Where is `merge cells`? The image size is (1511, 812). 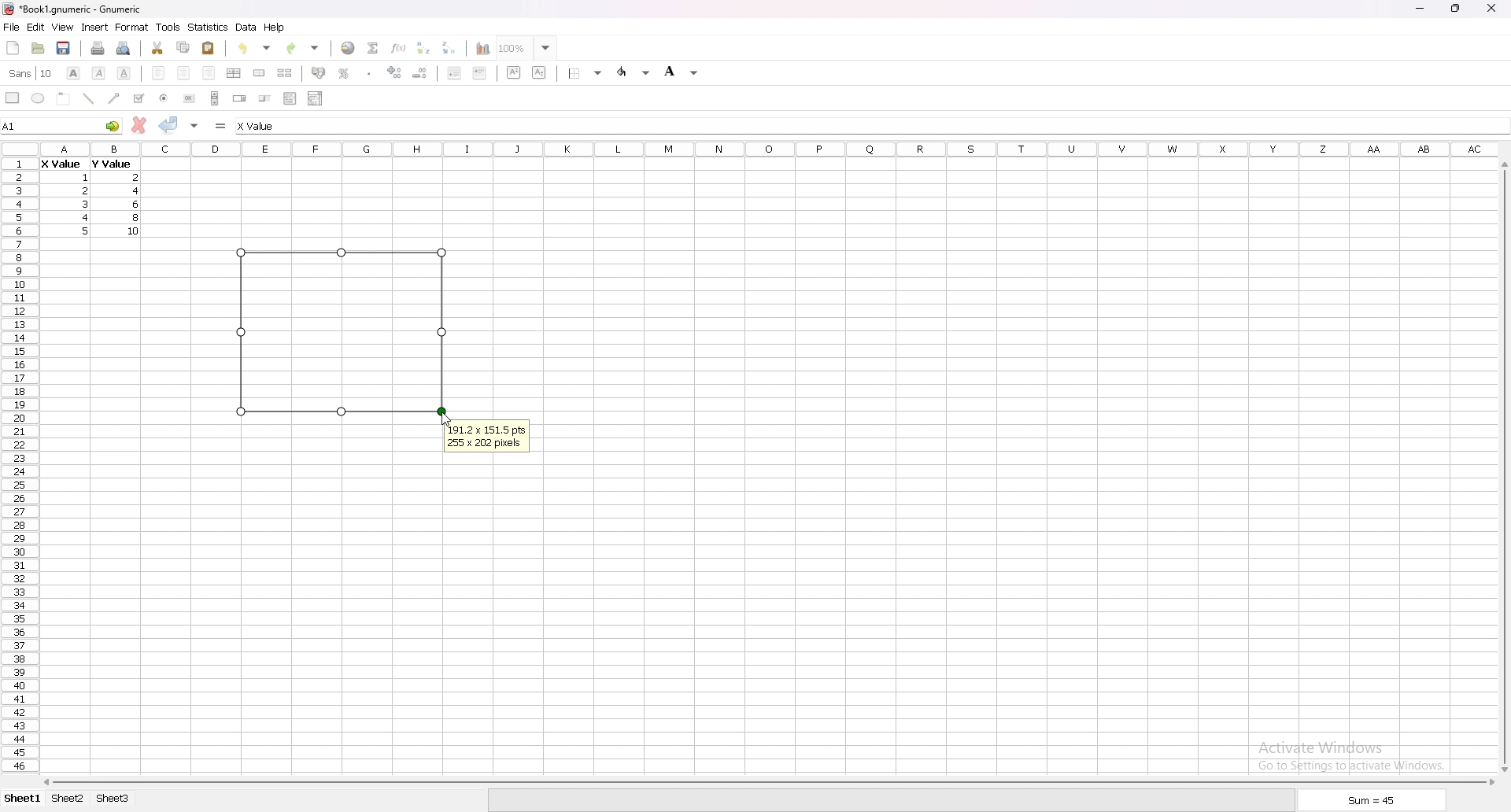 merge cells is located at coordinates (259, 73).